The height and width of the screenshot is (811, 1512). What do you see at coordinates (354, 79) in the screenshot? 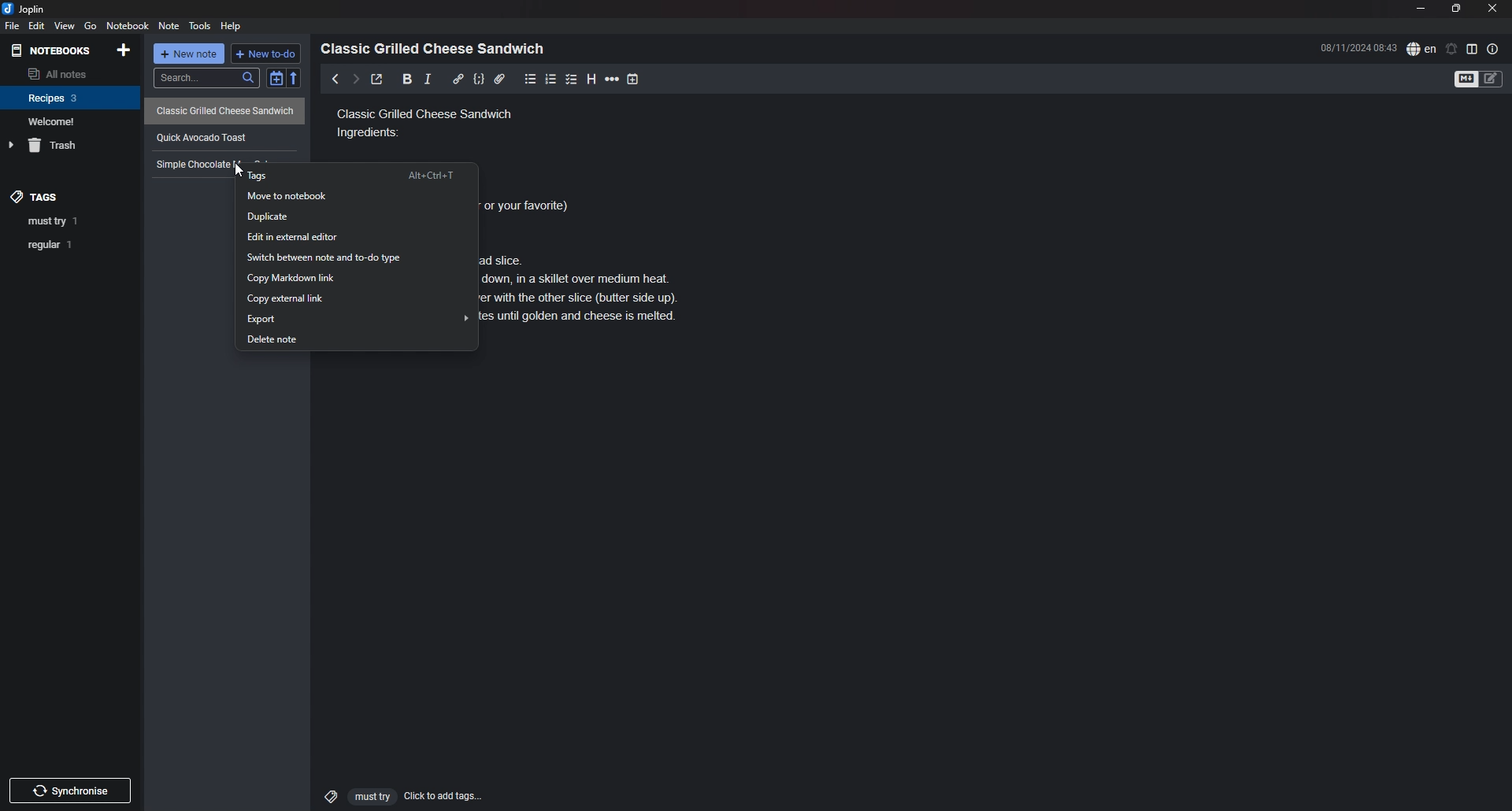
I see `next` at bounding box center [354, 79].